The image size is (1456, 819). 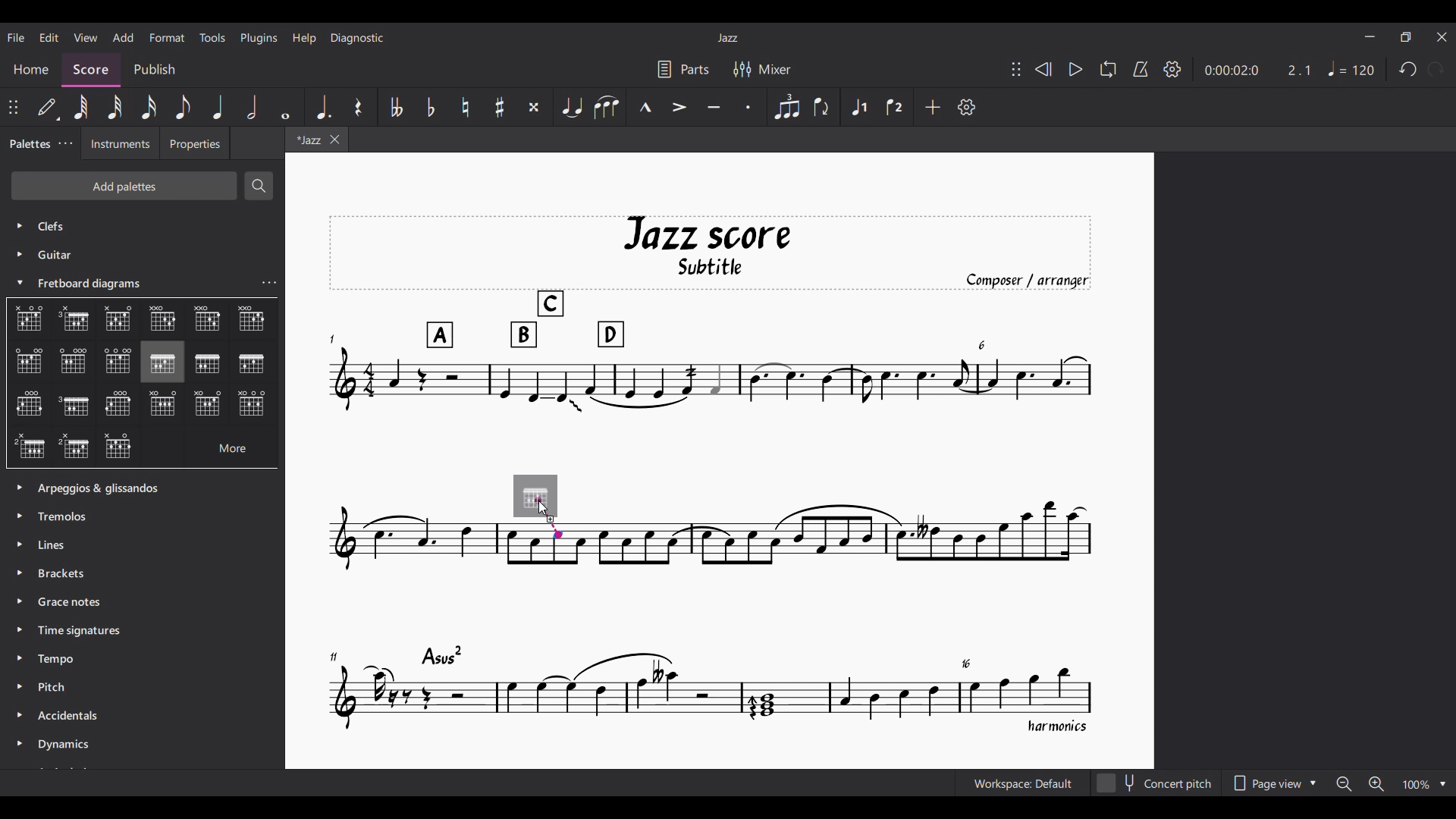 What do you see at coordinates (86, 38) in the screenshot?
I see `View menu` at bounding box center [86, 38].